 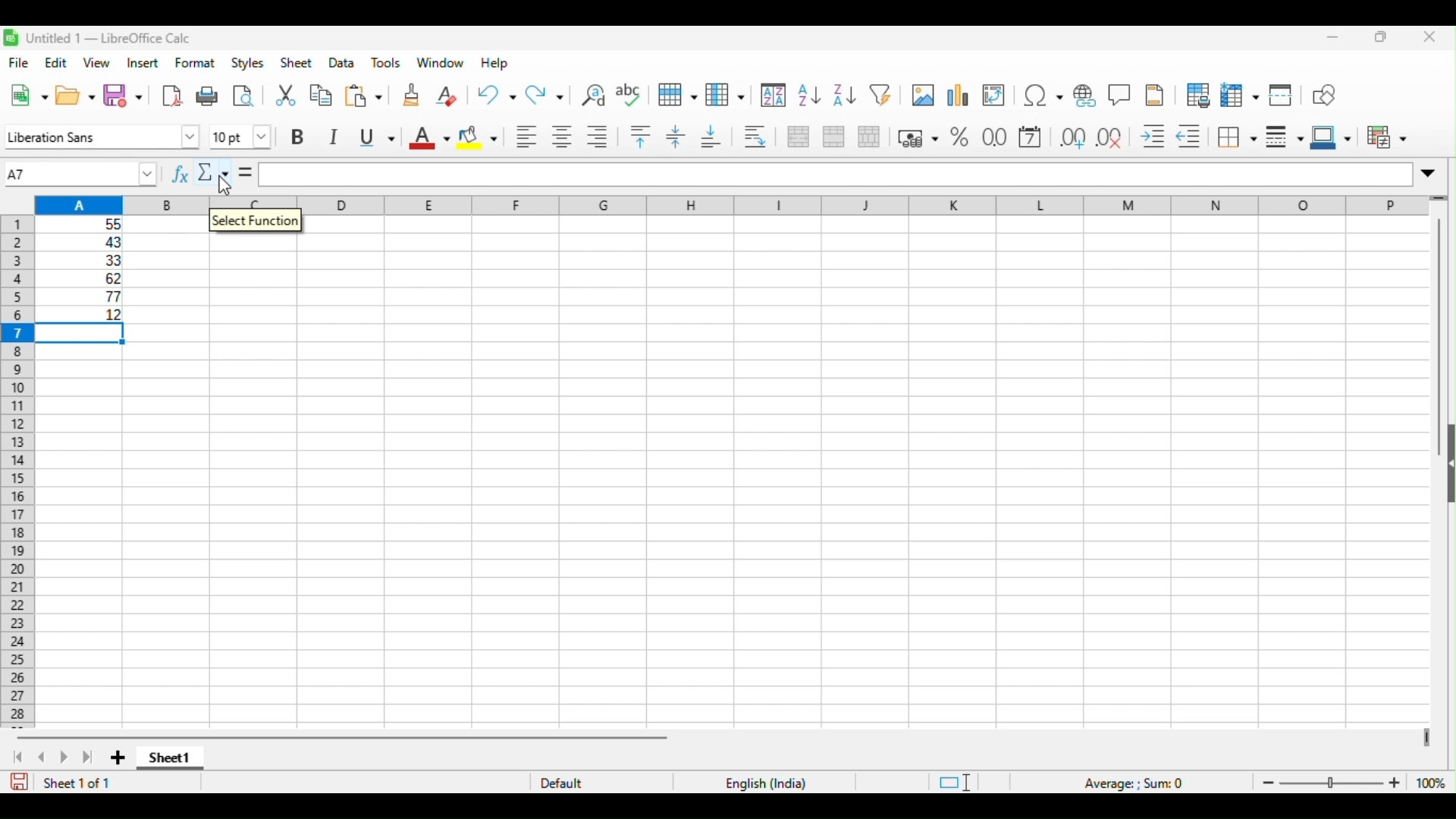 I want to click on insert image, so click(x=924, y=93).